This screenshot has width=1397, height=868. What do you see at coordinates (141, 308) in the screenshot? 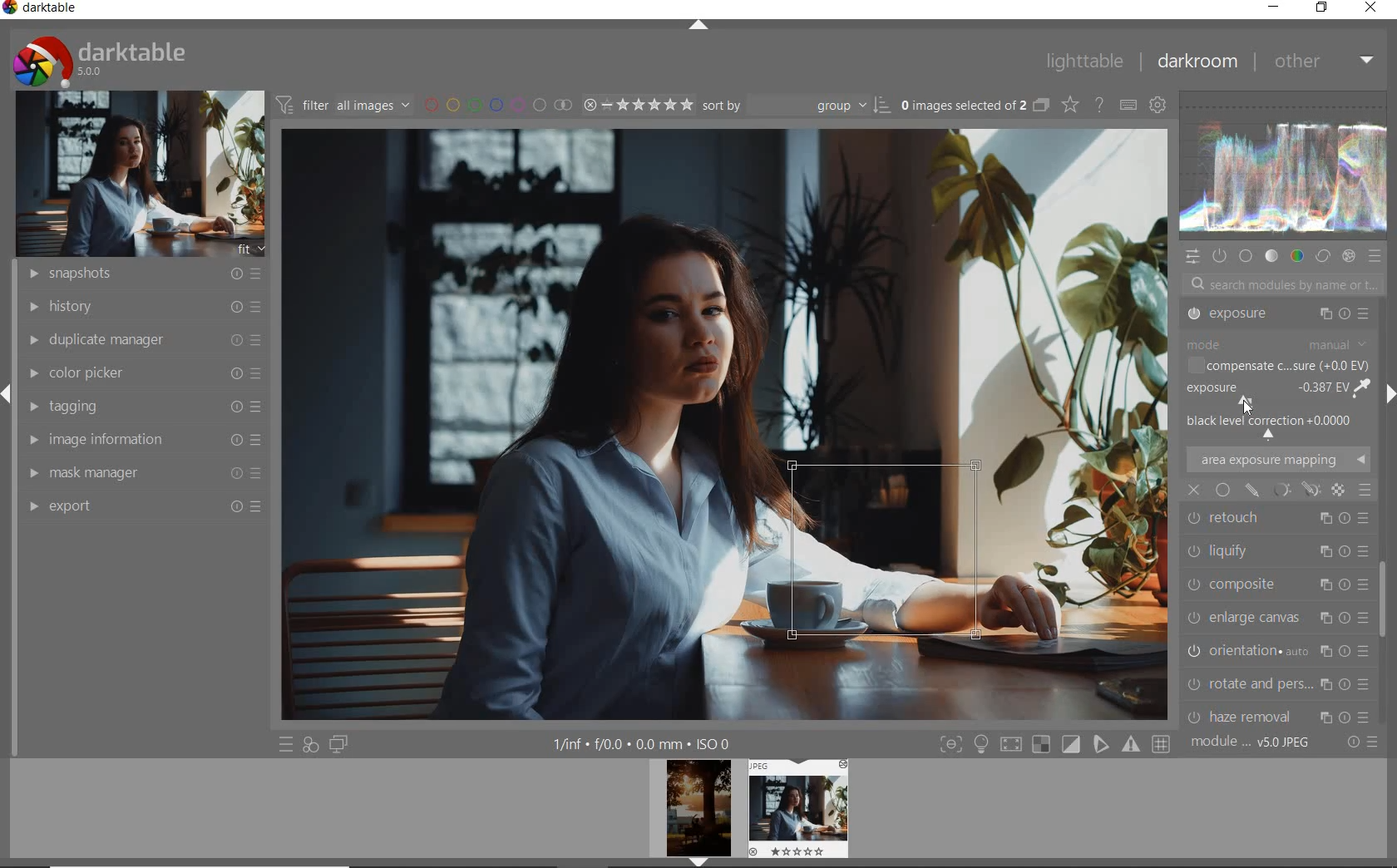
I see `HISTORY` at bounding box center [141, 308].